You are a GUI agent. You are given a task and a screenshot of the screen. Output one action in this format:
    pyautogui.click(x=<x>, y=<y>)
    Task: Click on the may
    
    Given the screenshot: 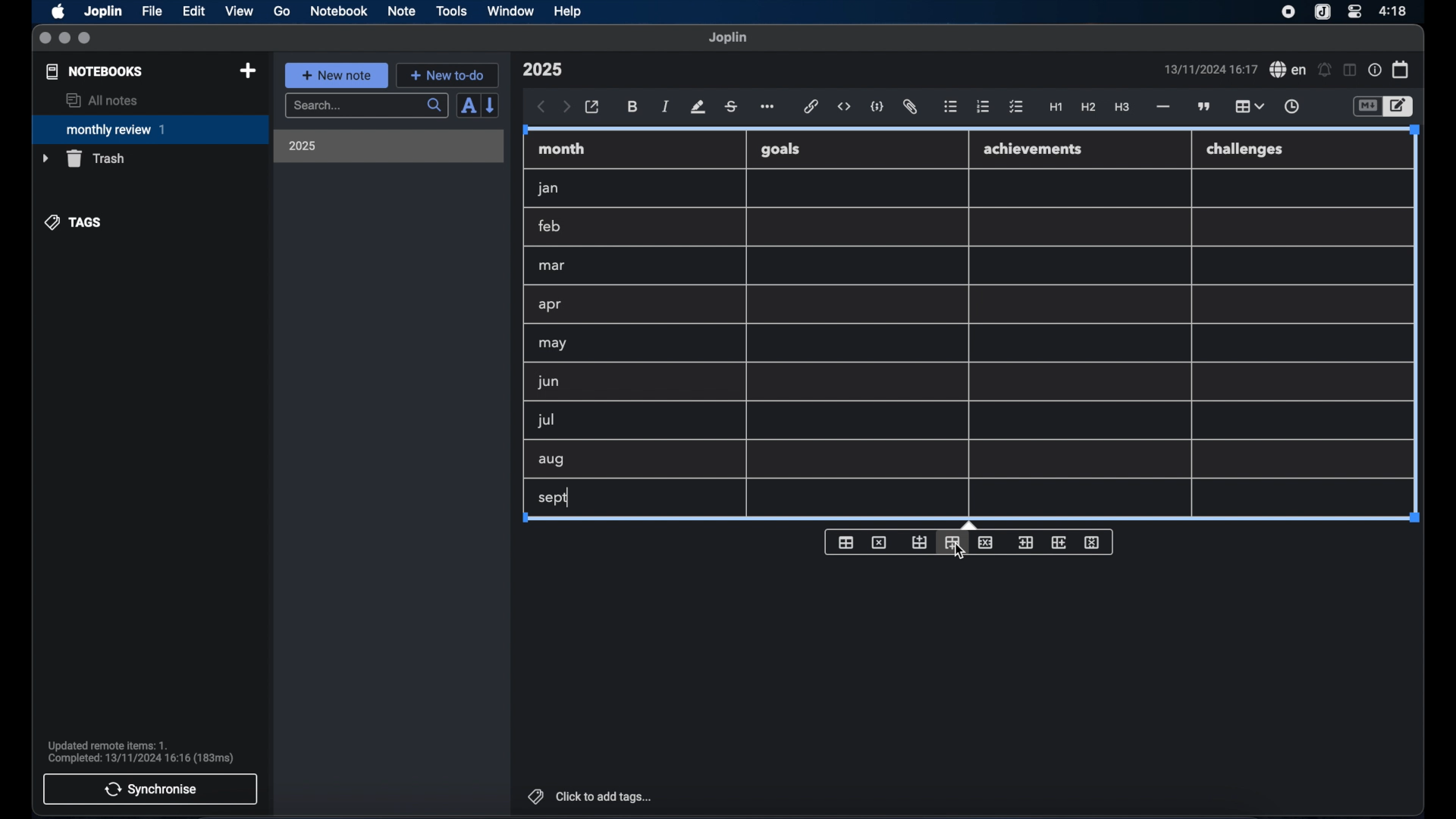 What is the action you would take?
    pyautogui.click(x=552, y=344)
    